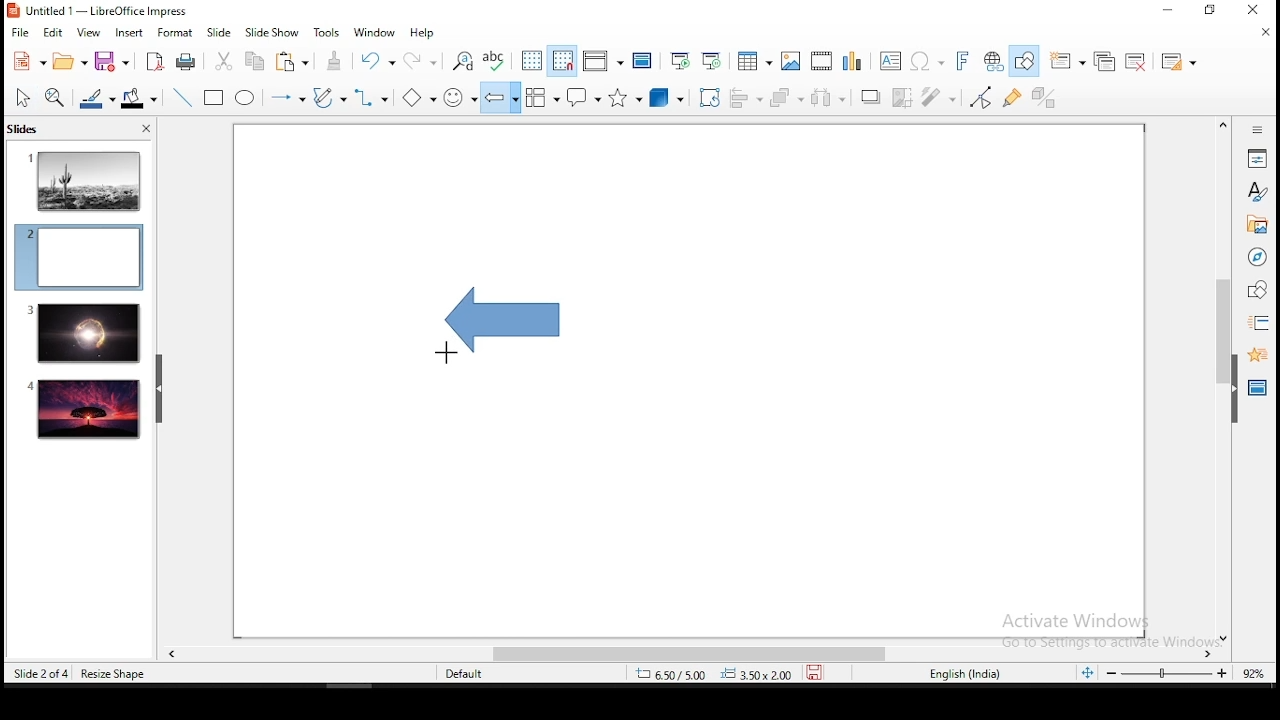 This screenshot has height=720, width=1280. What do you see at coordinates (1257, 157) in the screenshot?
I see `properties` at bounding box center [1257, 157].